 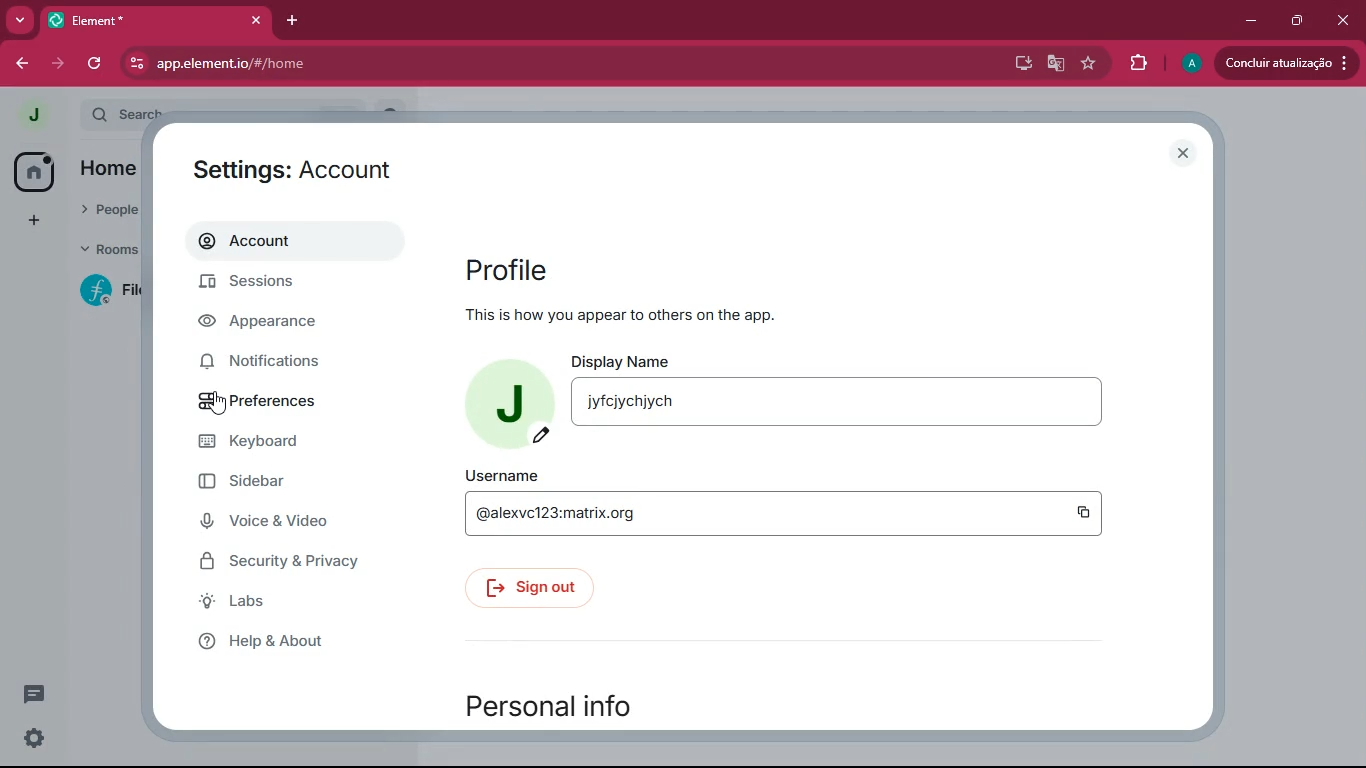 What do you see at coordinates (511, 403) in the screenshot?
I see `profile picture` at bounding box center [511, 403].